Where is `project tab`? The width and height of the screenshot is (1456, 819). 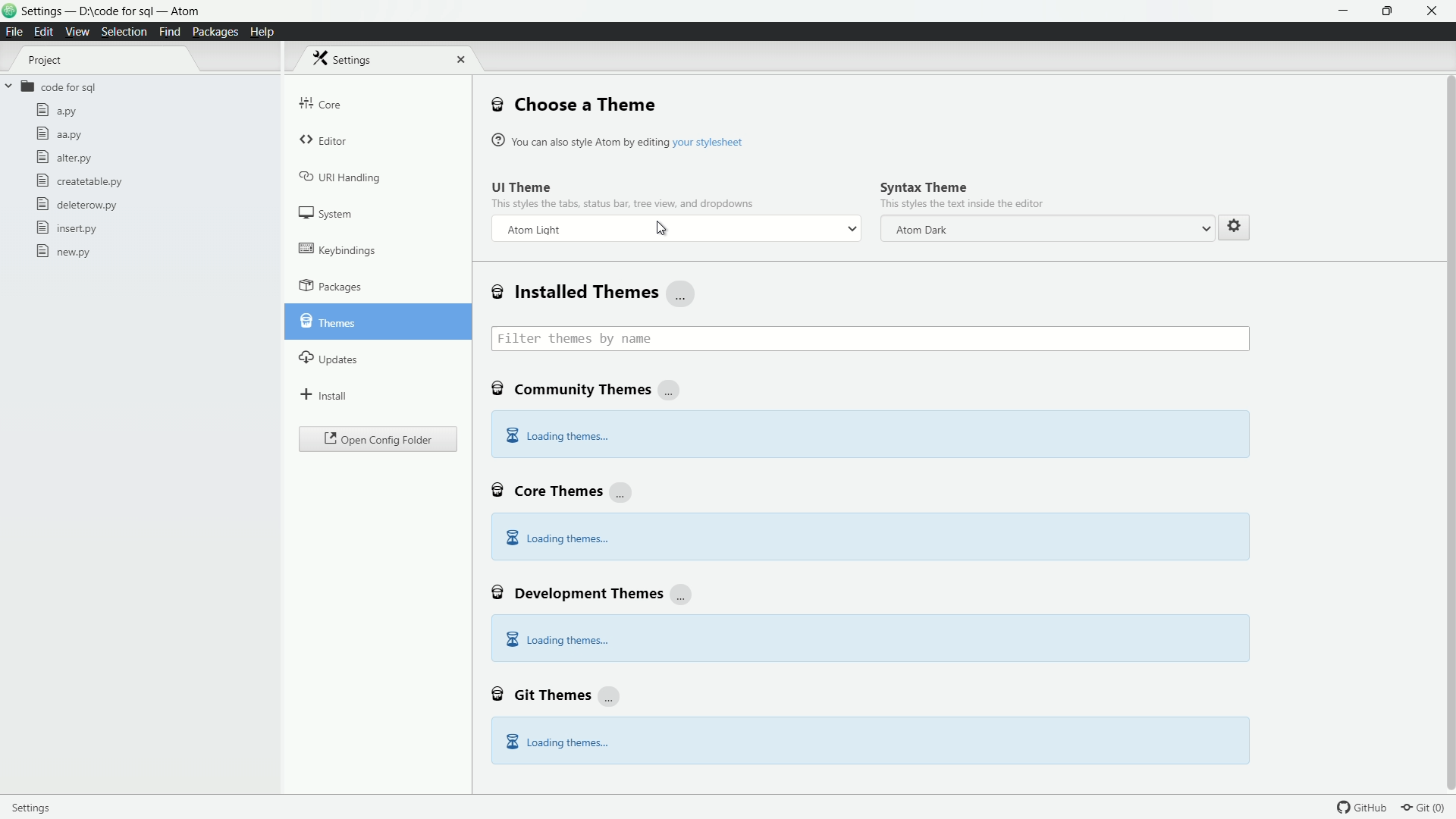
project tab is located at coordinates (45, 61).